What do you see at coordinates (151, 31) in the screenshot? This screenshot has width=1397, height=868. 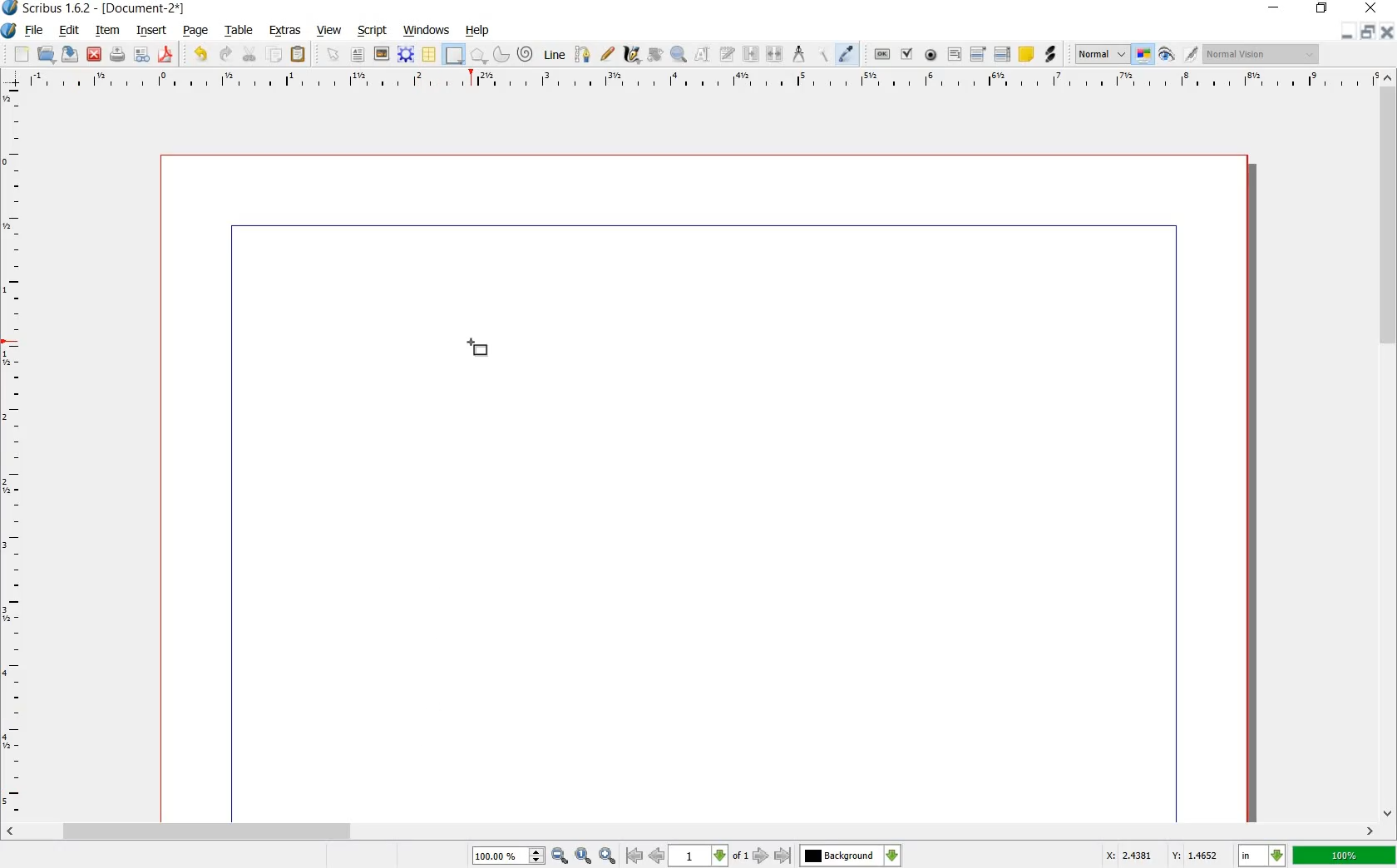 I see `INSERT` at bounding box center [151, 31].